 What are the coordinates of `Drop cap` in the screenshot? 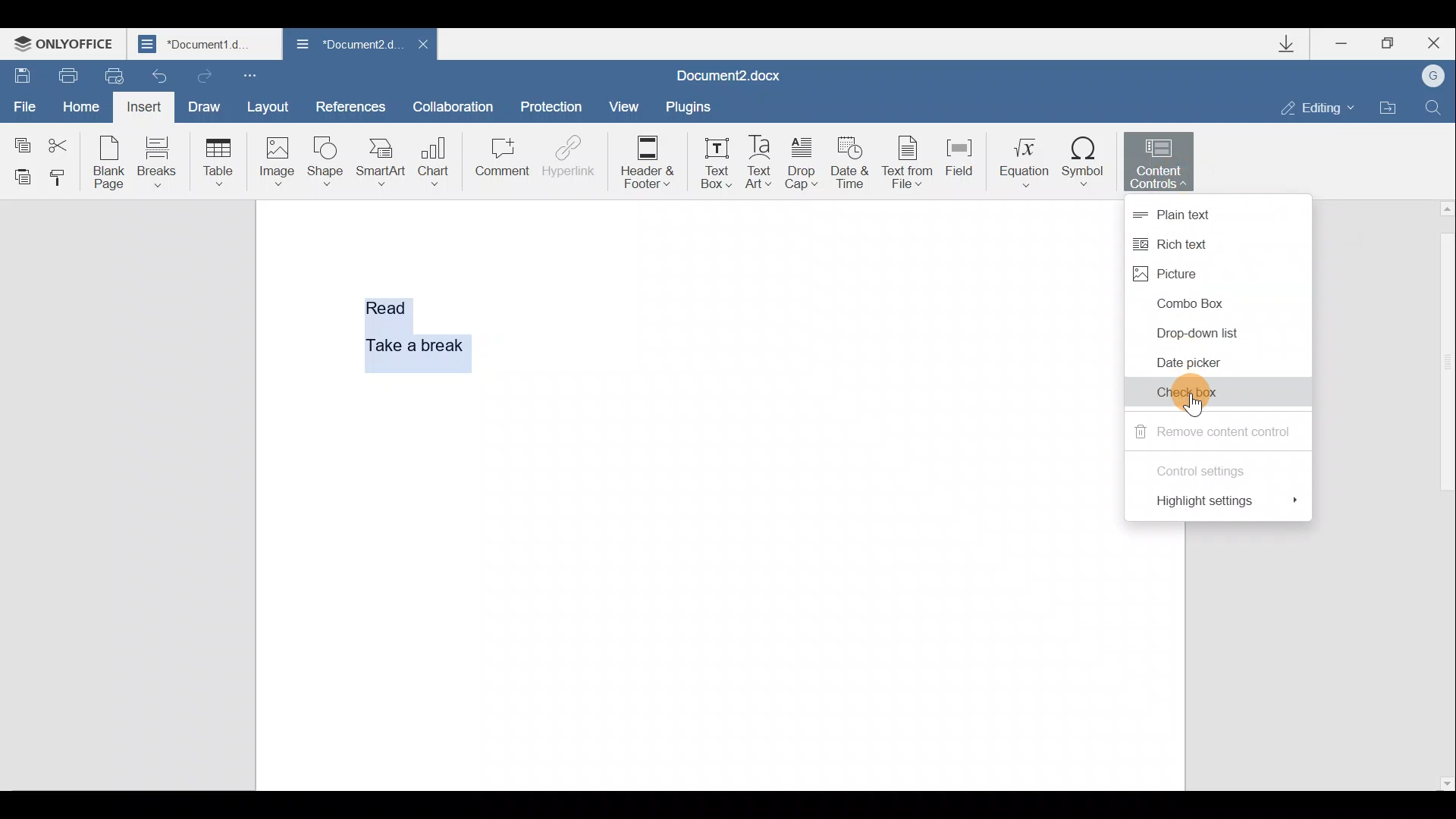 It's located at (802, 165).